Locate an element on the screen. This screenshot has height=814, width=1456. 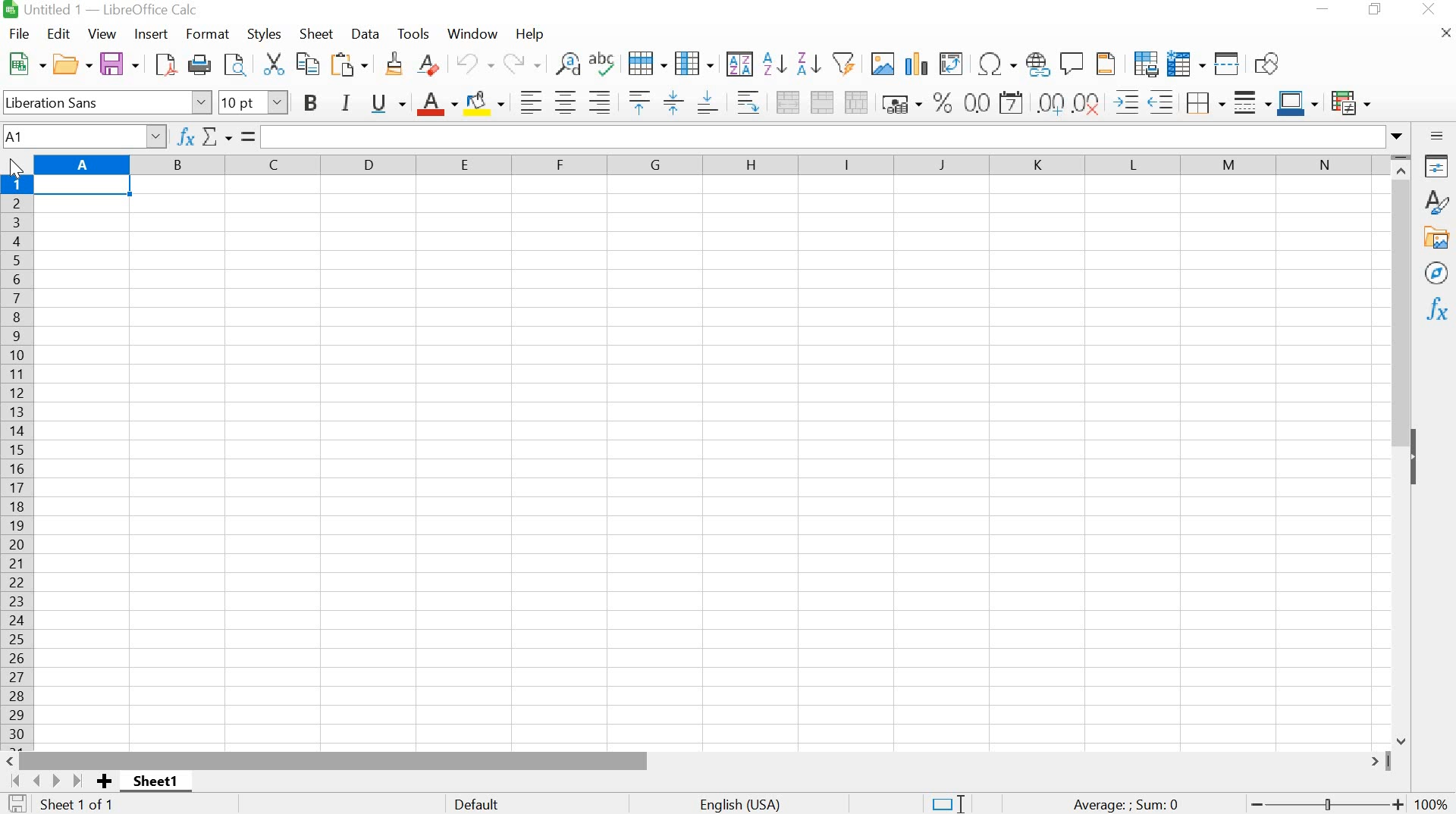
SORT is located at coordinates (738, 66).